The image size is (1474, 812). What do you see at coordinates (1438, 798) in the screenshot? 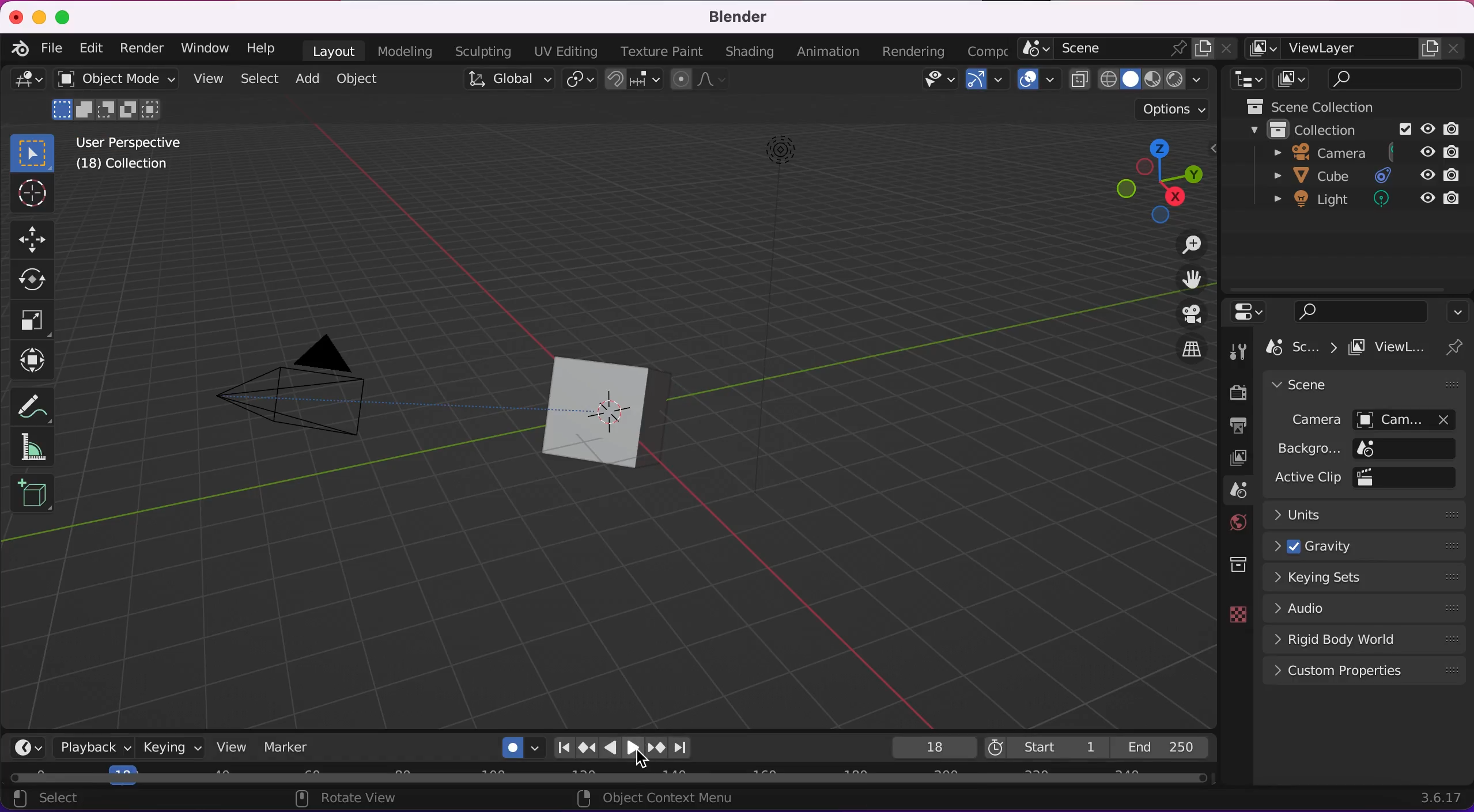
I see `3.6.17` at bounding box center [1438, 798].